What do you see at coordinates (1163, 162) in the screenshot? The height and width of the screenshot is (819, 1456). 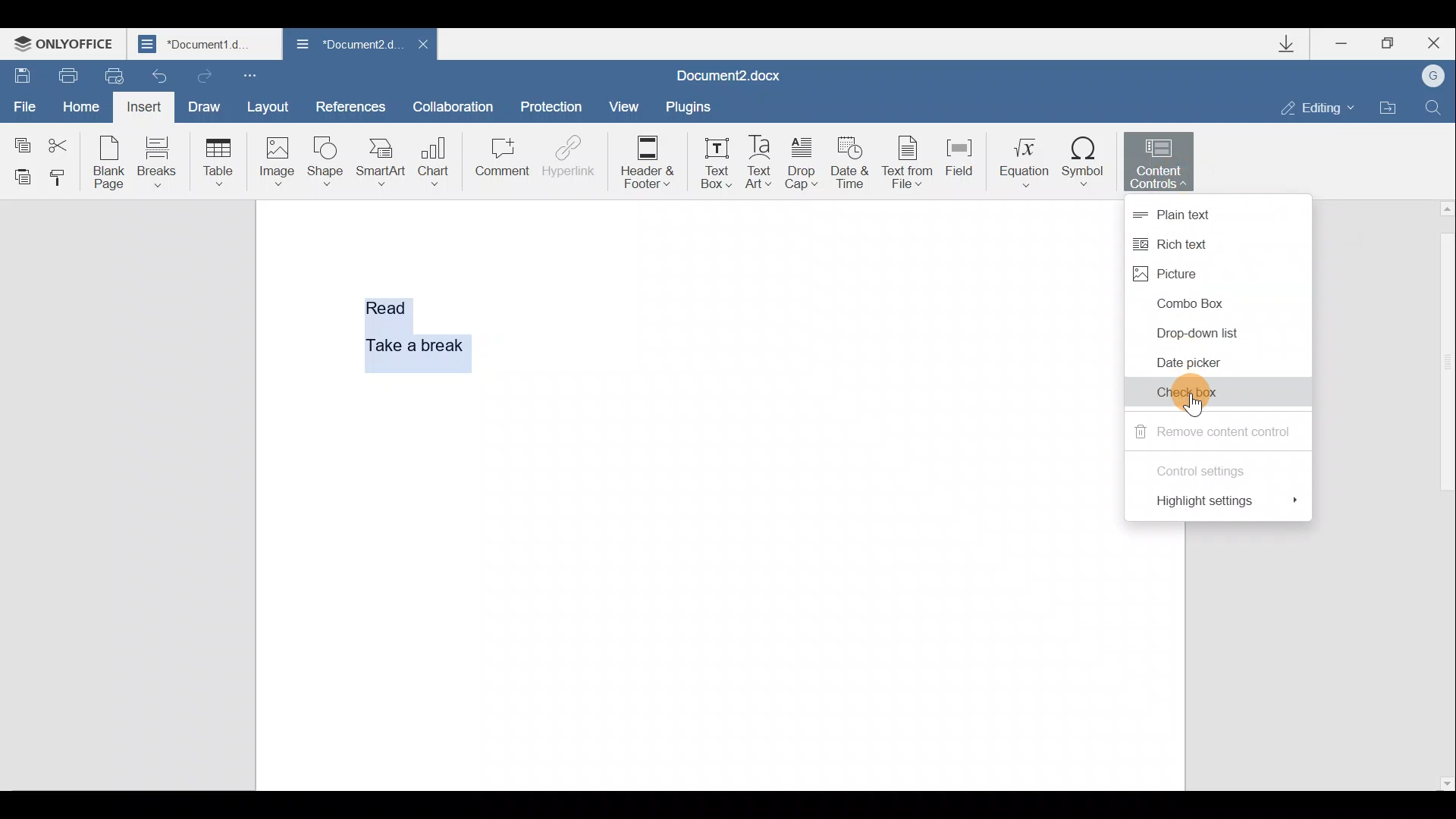 I see `Content controls` at bounding box center [1163, 162].